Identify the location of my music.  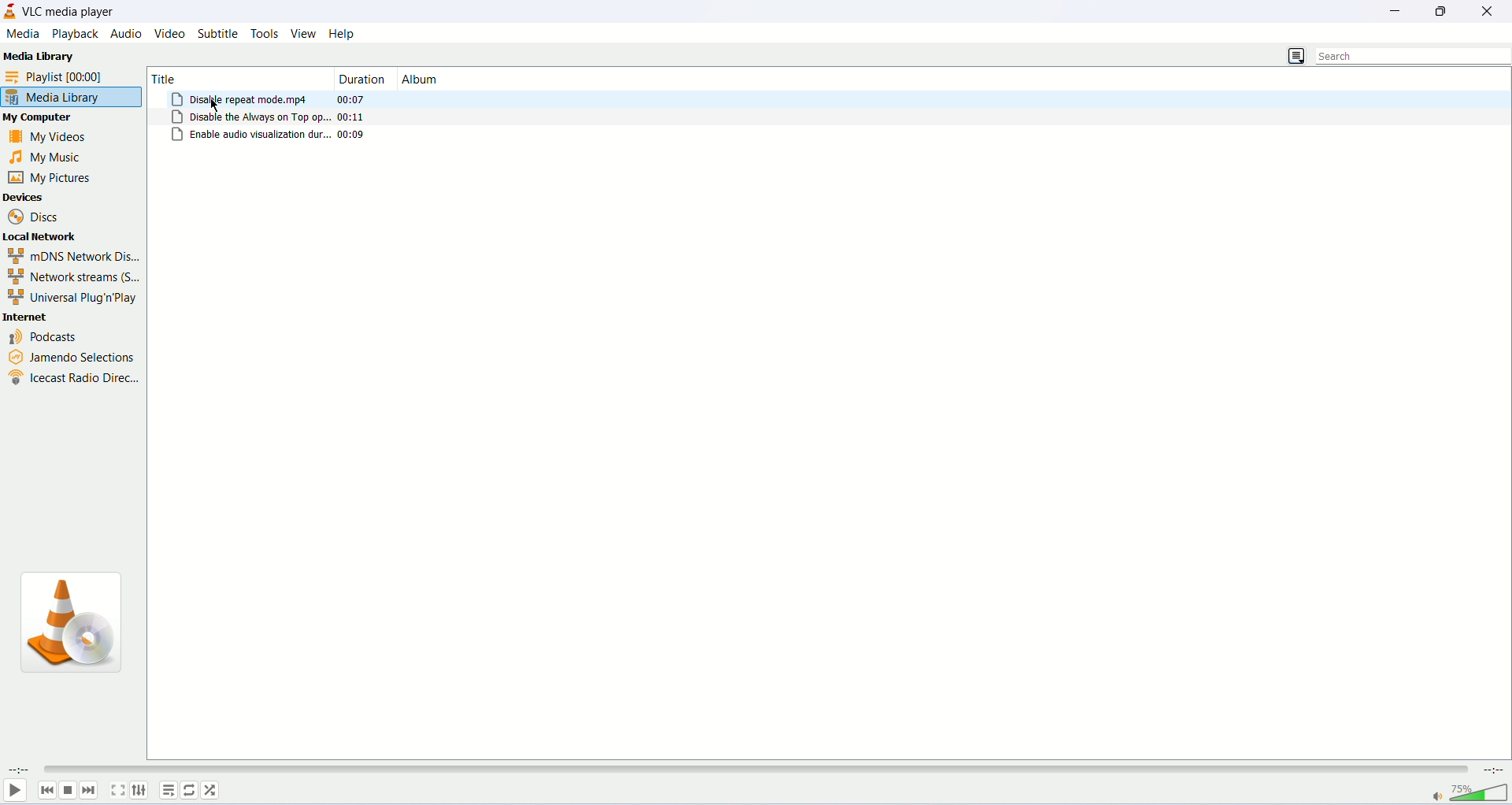
(57, 158).